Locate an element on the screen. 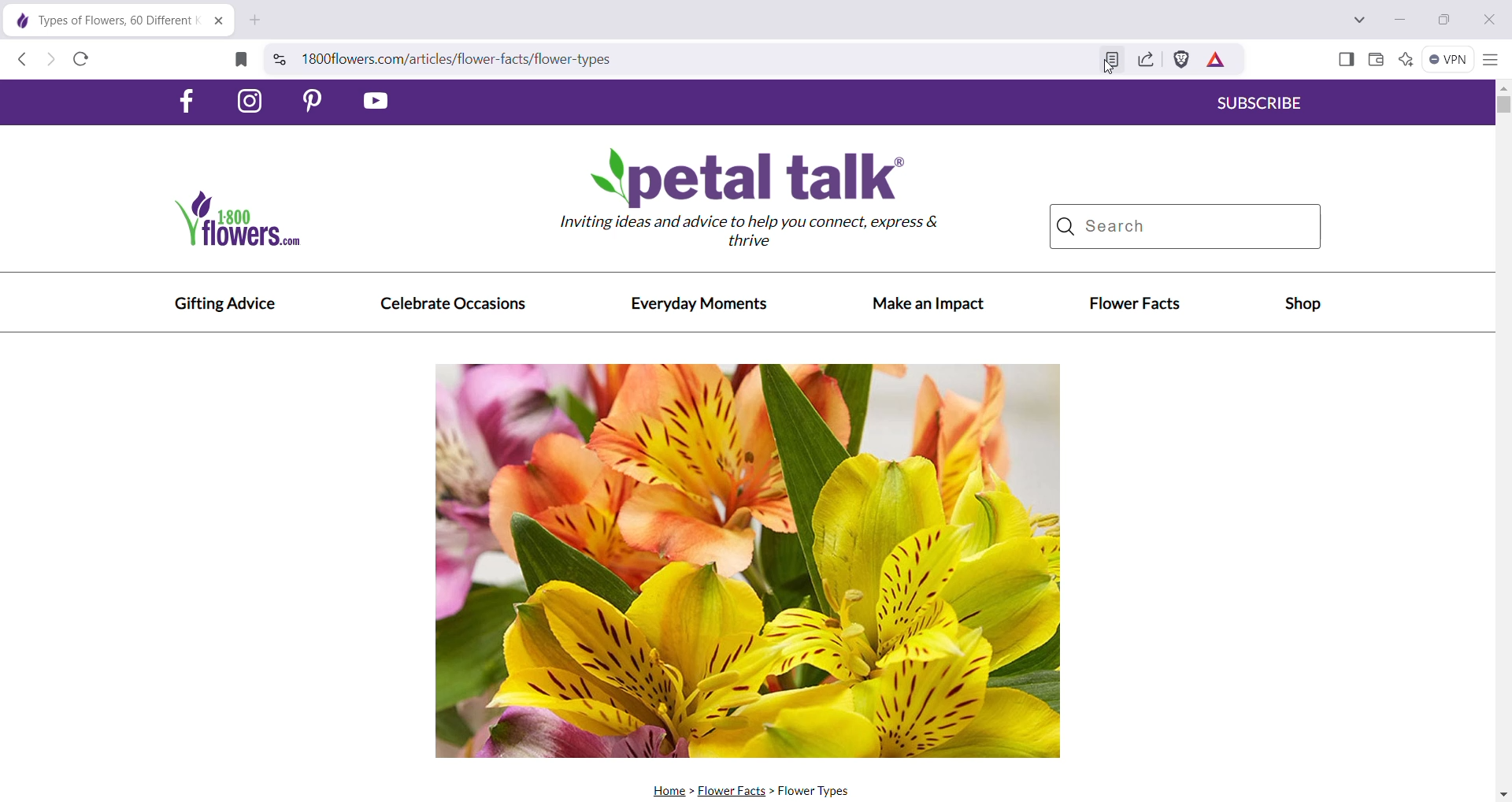 The width and height of the screenshot is (1512, 802). Close is located at coordinates (1486, 20).